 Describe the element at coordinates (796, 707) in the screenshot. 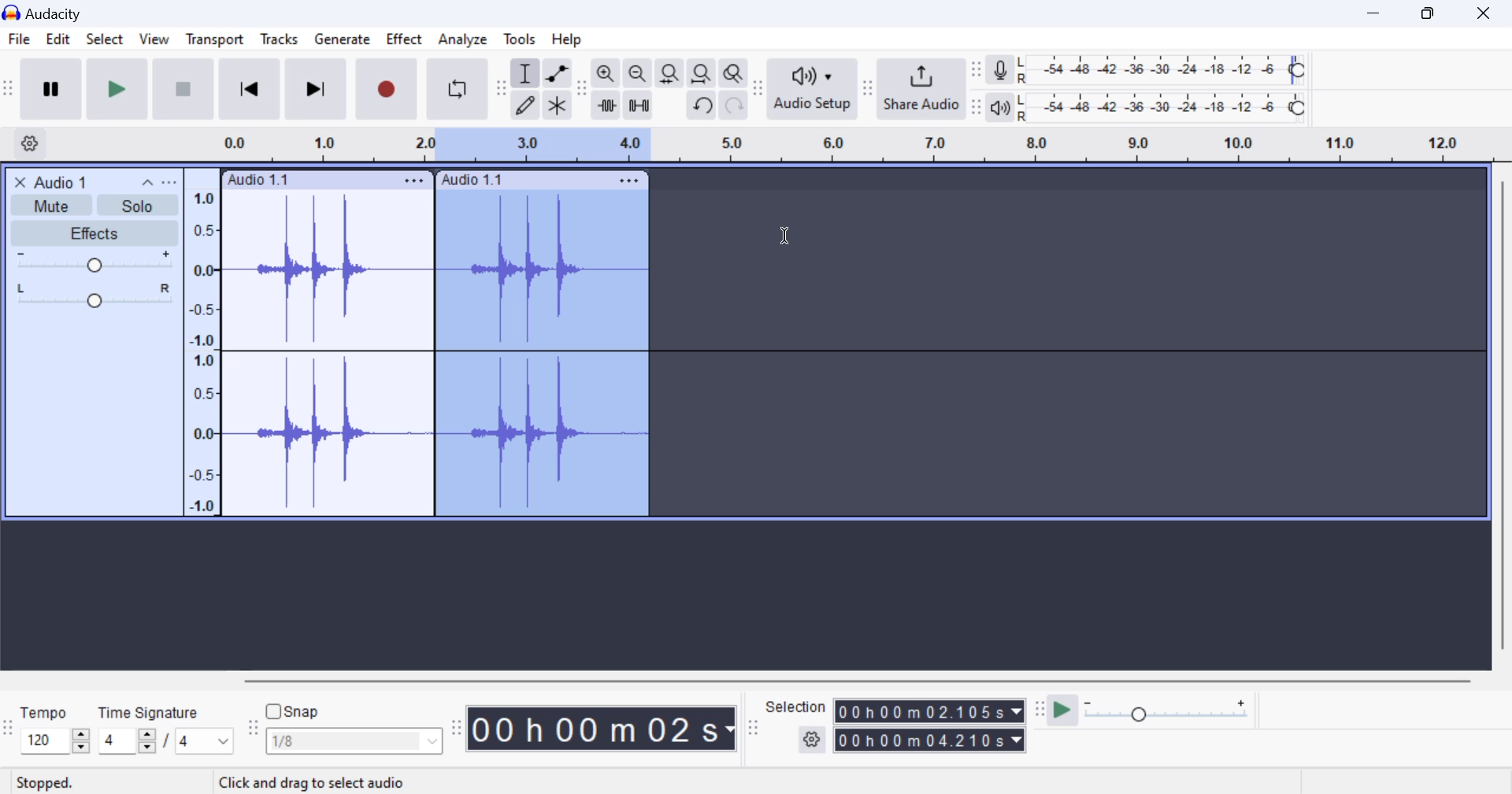

I see `Selection` at that location.